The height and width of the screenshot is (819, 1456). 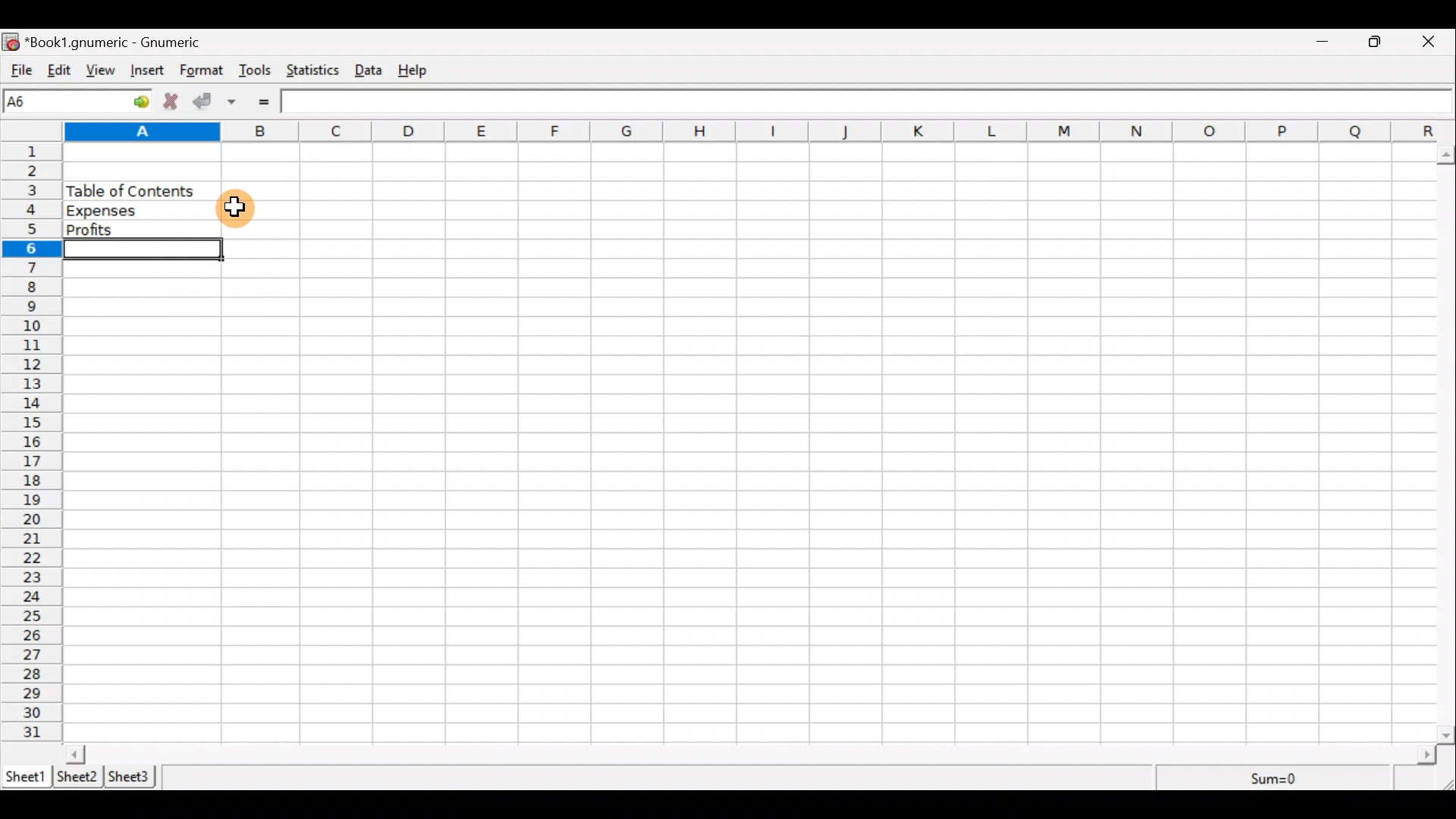 What do you see at coordinates (137, 212) in the screenshot?
I see `Expenses` at bounding box center [137, 212].